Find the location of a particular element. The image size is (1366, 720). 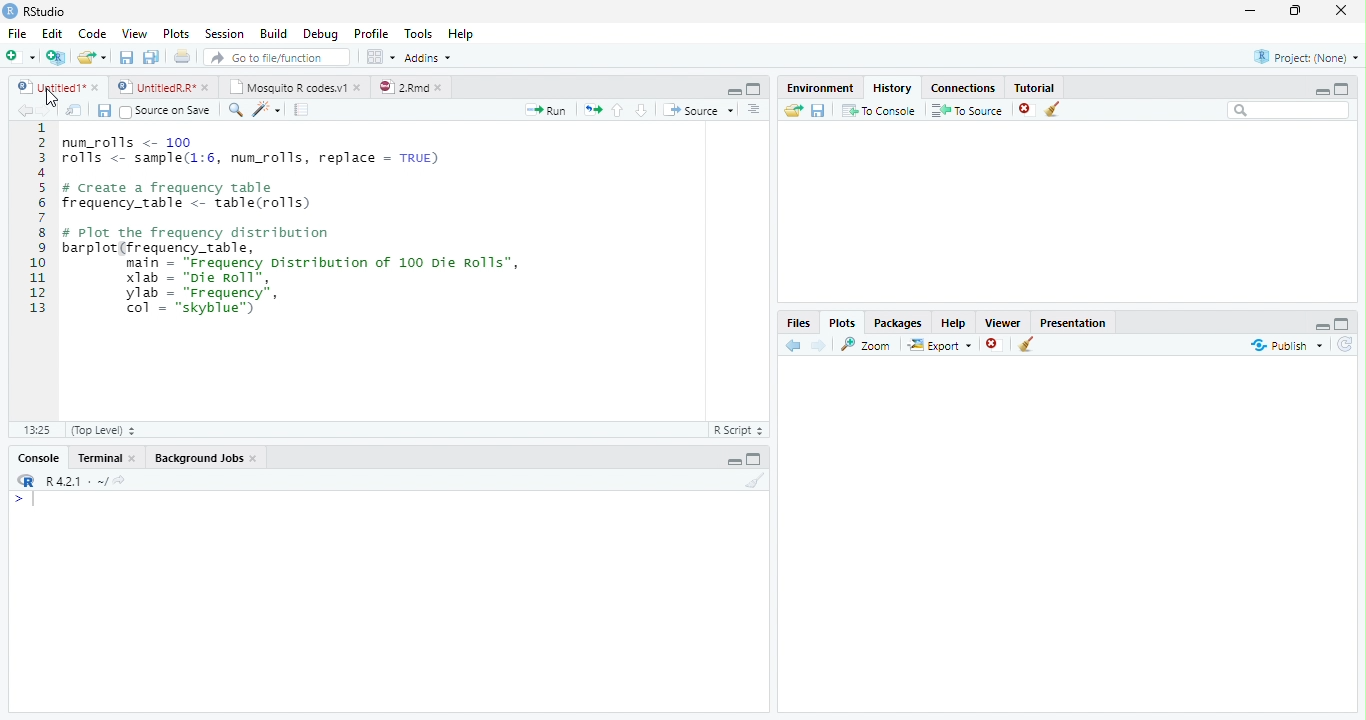

Code Tools is located at coordinates (265, 110).